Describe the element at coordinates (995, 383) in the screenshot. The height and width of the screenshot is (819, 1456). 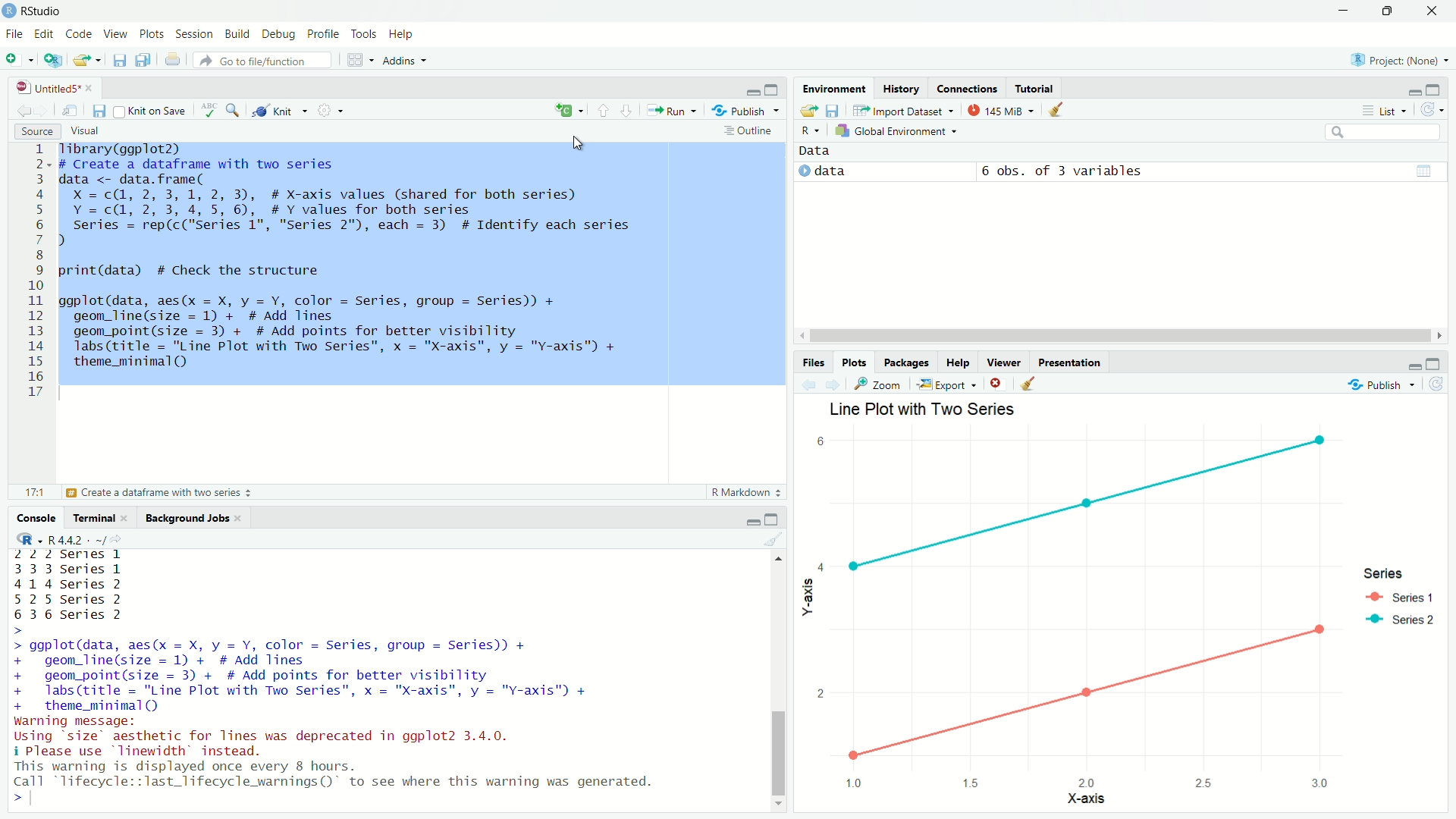
I see `clear` at that location.